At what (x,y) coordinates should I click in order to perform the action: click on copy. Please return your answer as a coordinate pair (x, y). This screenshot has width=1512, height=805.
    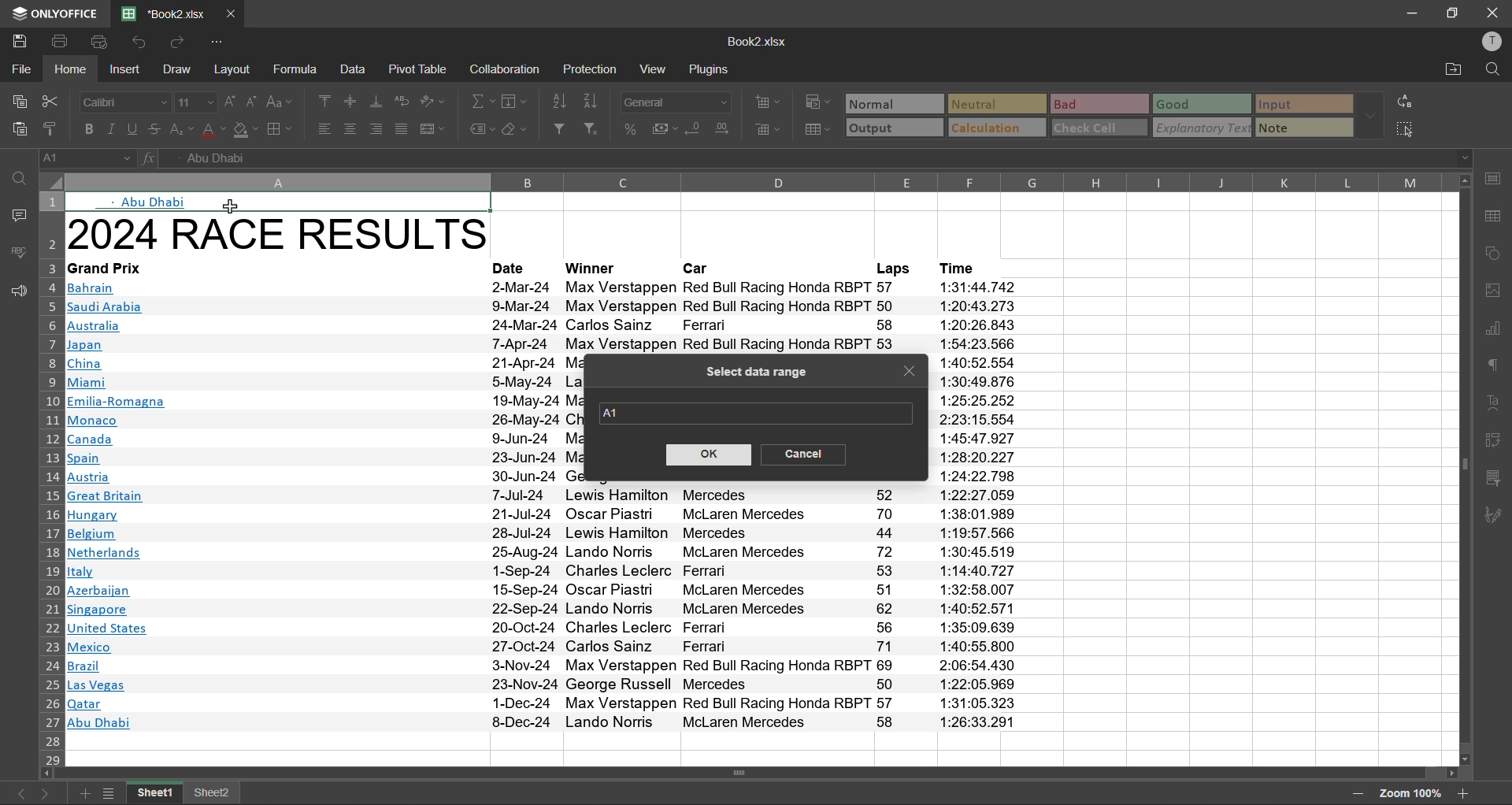
    Looking at the image, I should click on (17, 101).